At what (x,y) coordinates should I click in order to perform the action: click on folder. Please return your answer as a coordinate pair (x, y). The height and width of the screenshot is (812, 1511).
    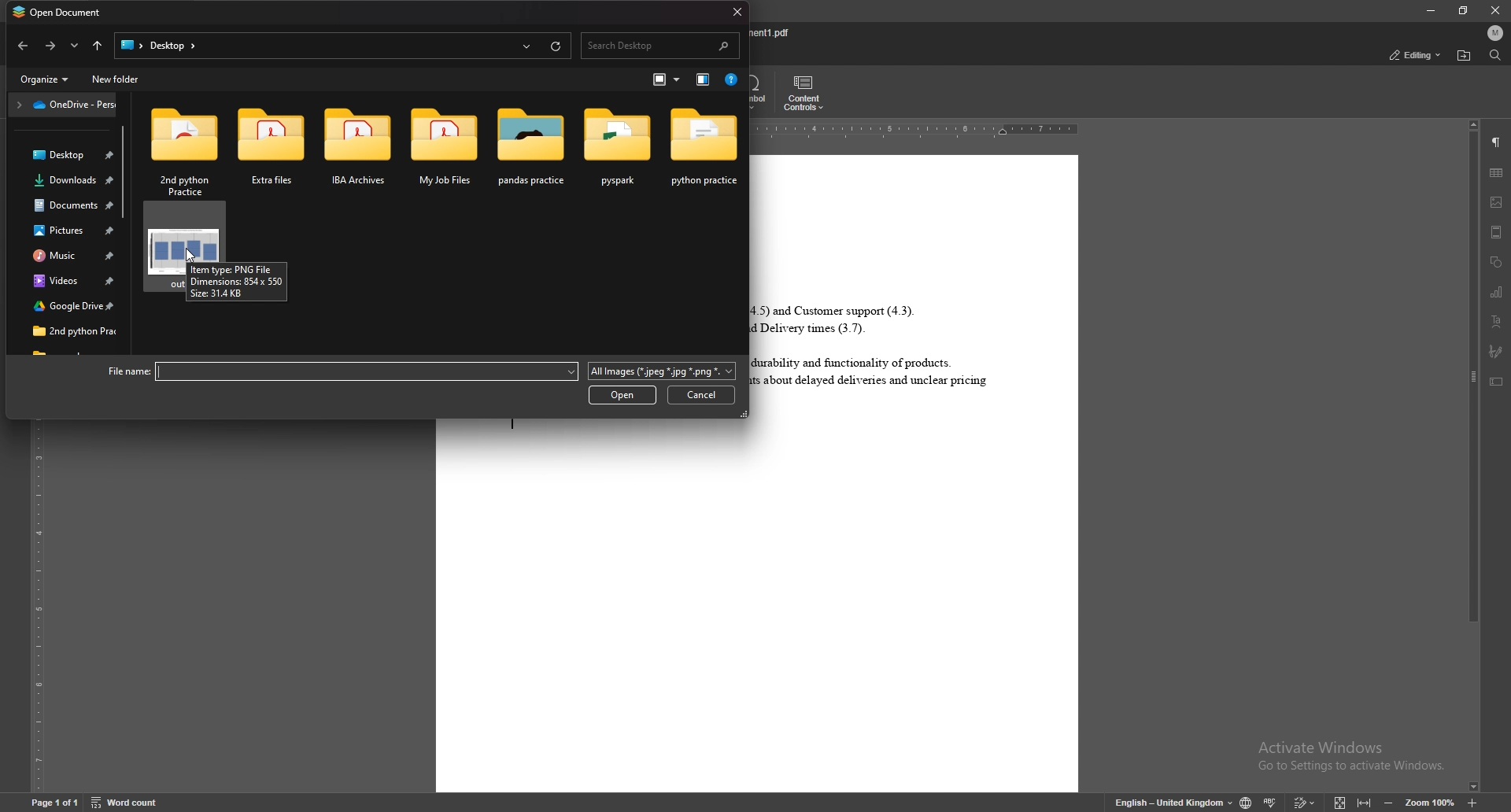
    Looking at the image, I should click on (270, 149).